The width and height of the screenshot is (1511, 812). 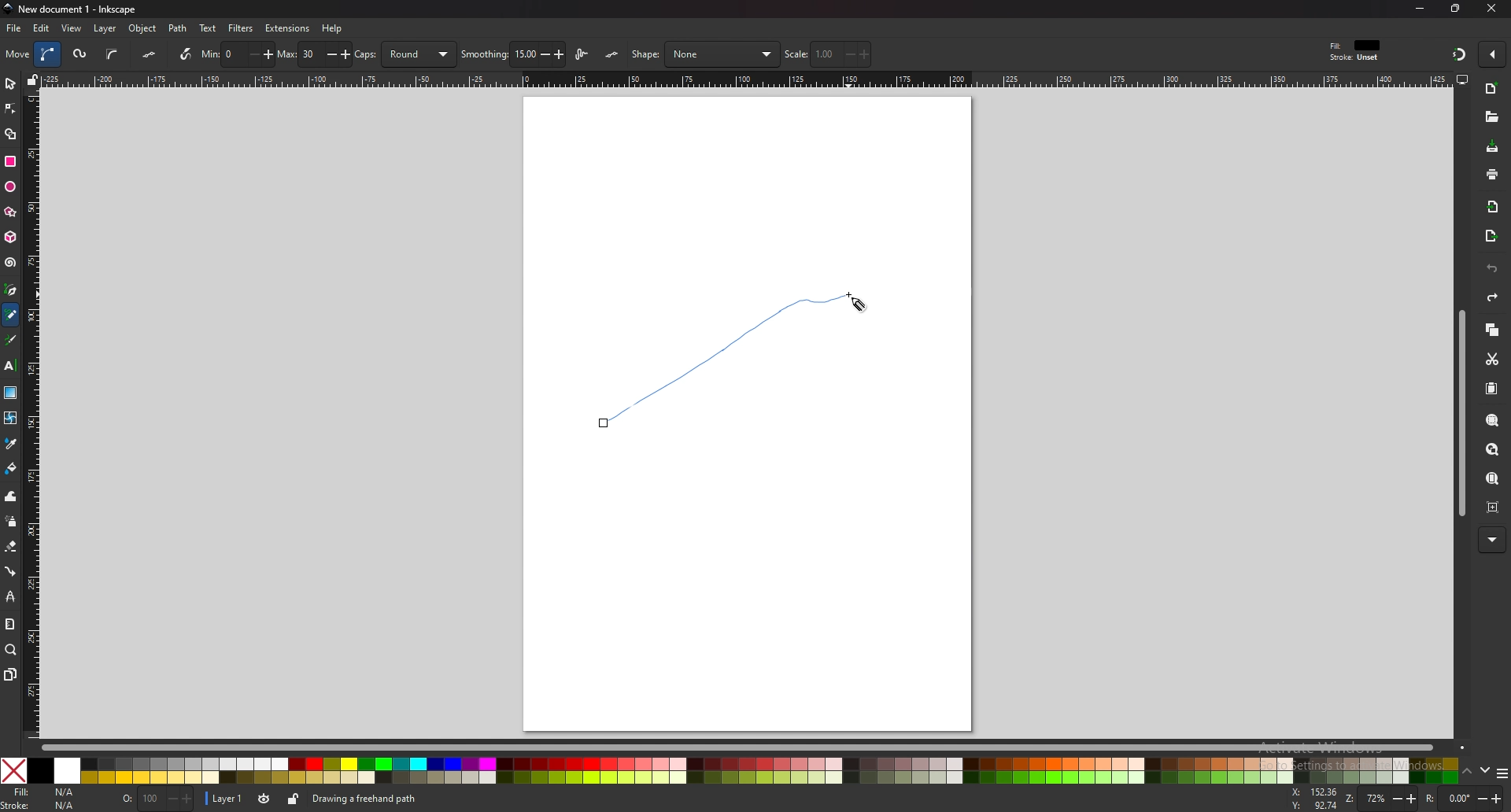 I want to click on zoom, so click(x=1382, y=798).